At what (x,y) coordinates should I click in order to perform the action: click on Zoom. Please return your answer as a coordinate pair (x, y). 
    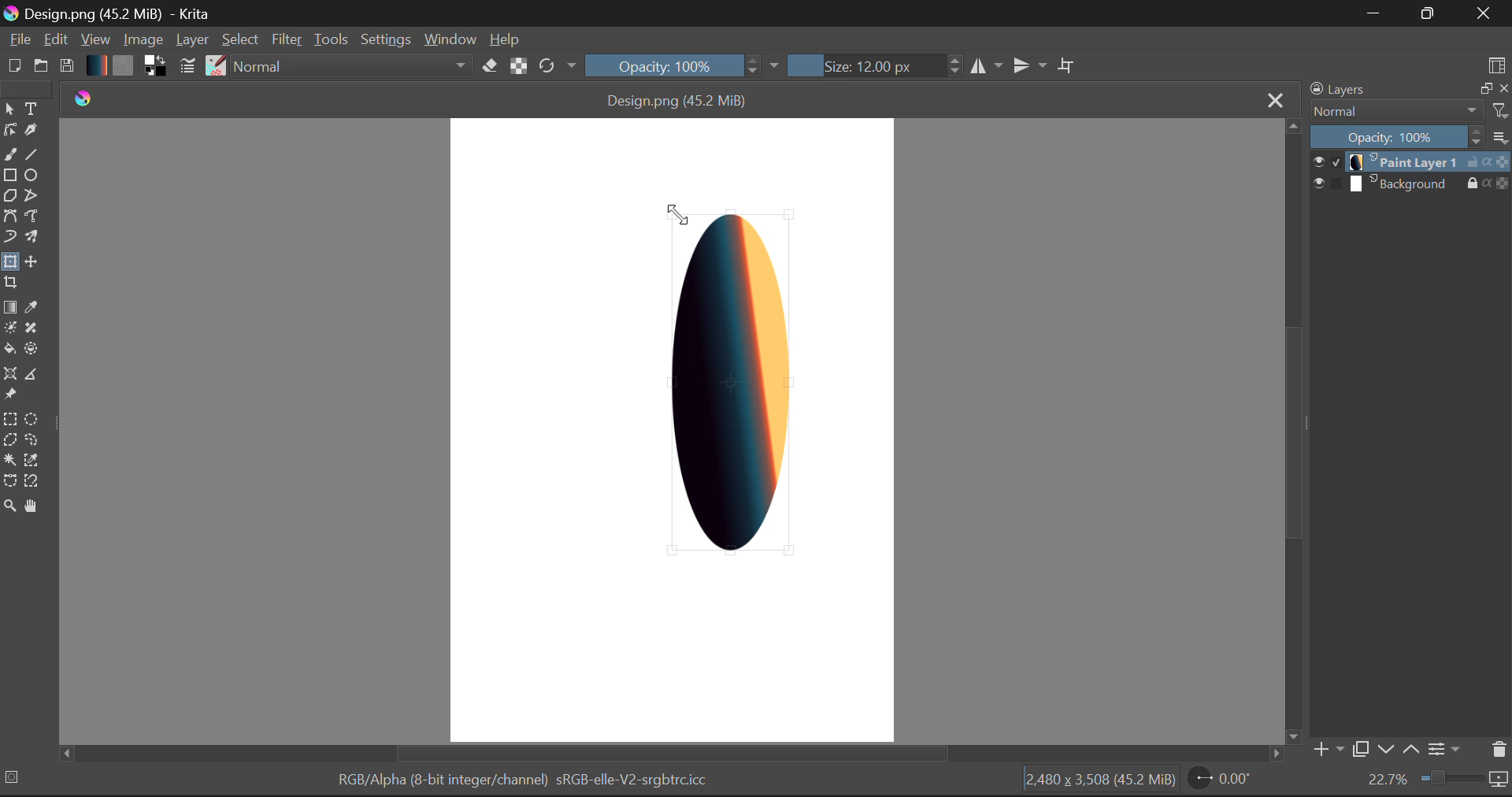
    Looking at the image, I should click on (1437, 781).